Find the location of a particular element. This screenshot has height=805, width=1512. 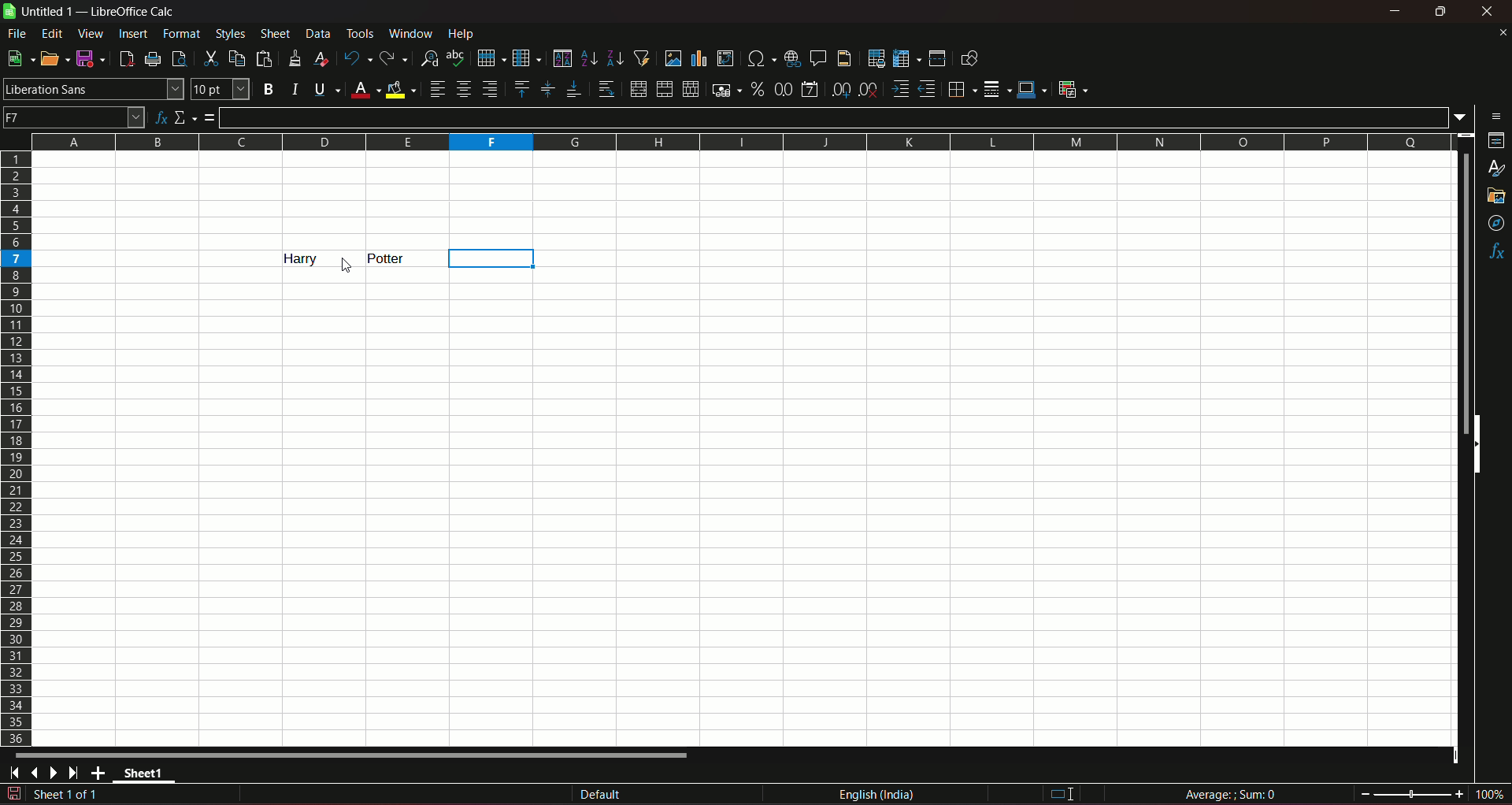

edit is located at coordinates (53, 33).